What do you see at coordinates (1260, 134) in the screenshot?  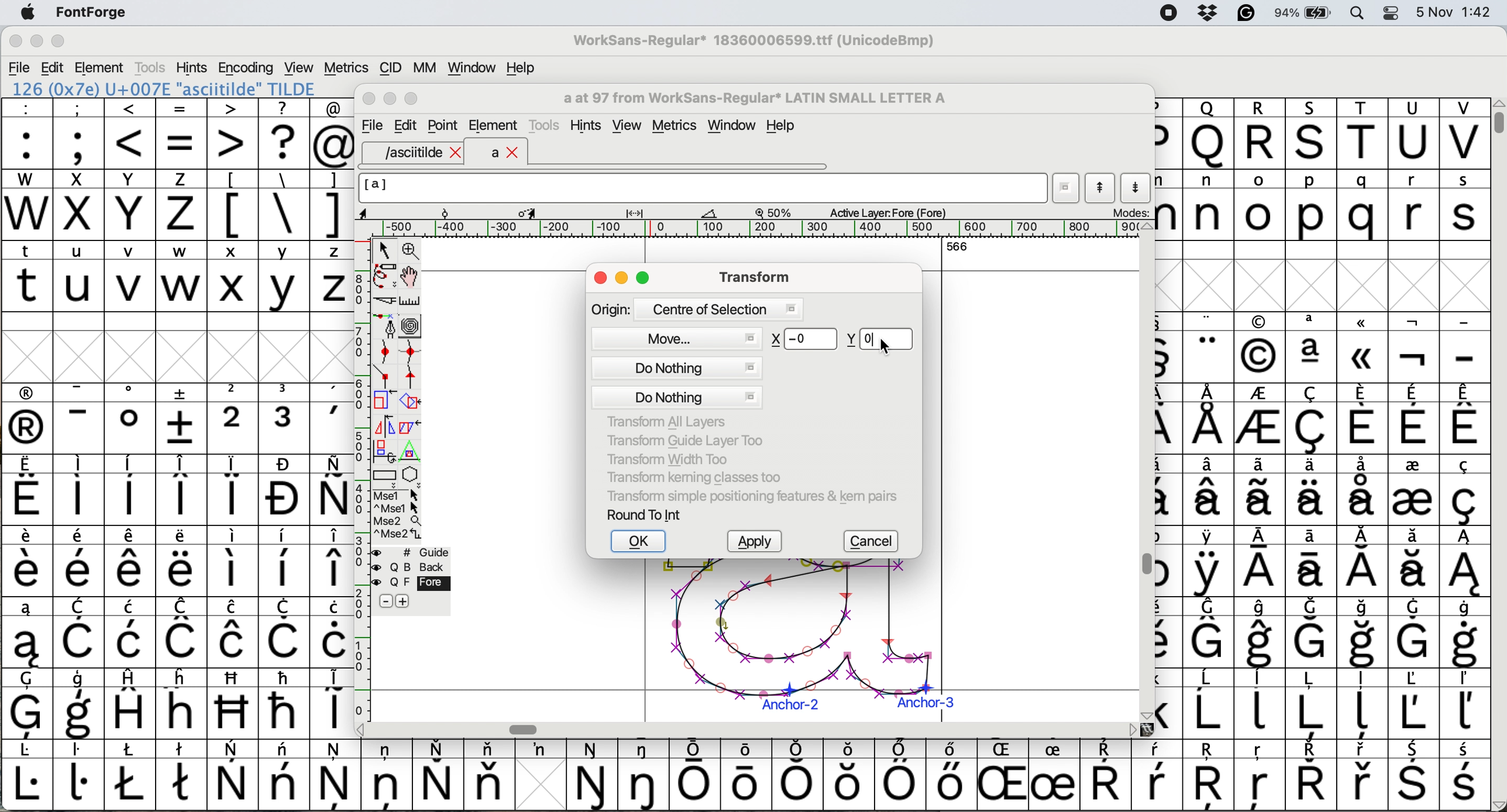 I see `R` at bounding box center [1260, 134].